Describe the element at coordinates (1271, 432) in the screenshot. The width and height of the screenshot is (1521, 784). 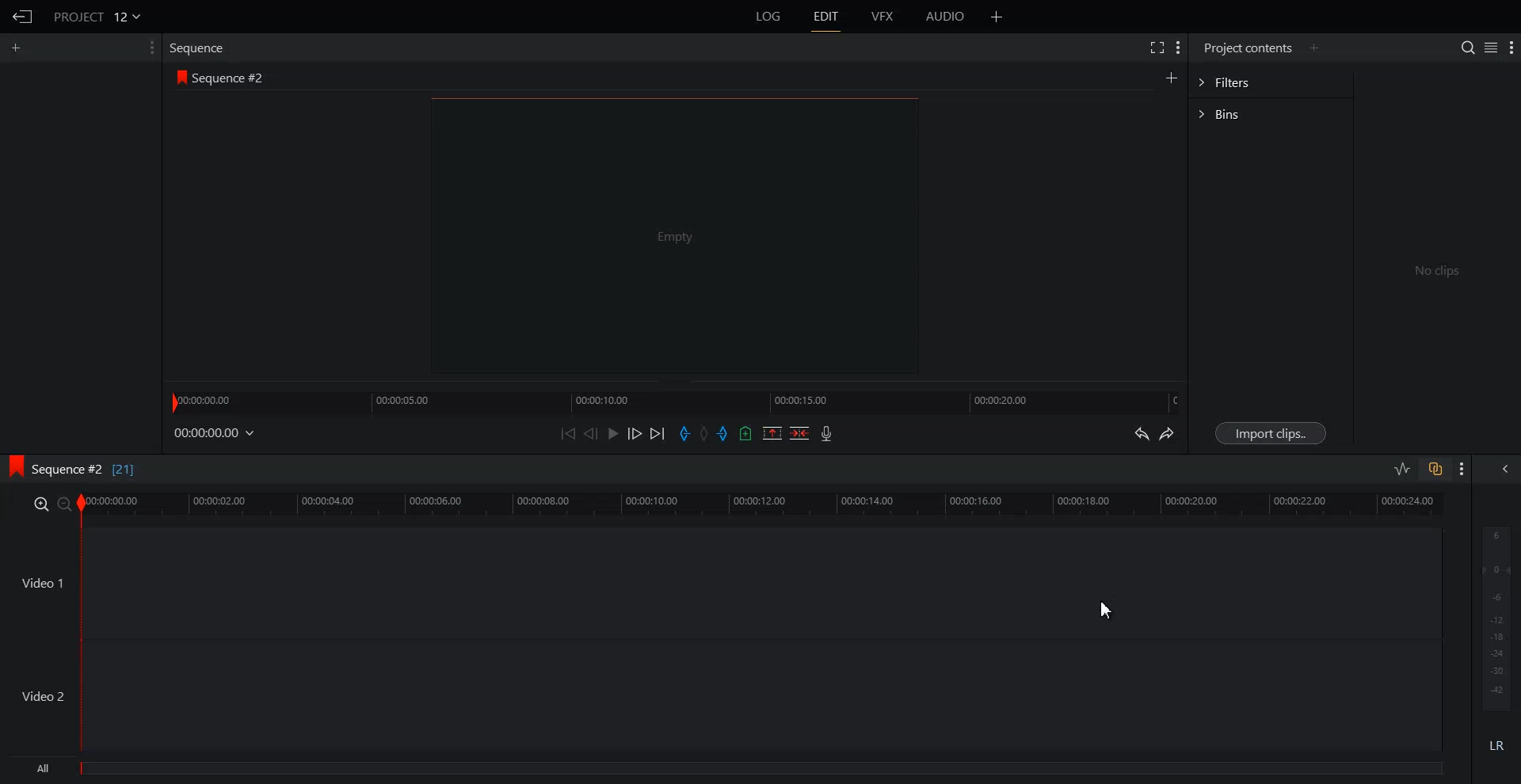
I see `Import Clips` at that location.